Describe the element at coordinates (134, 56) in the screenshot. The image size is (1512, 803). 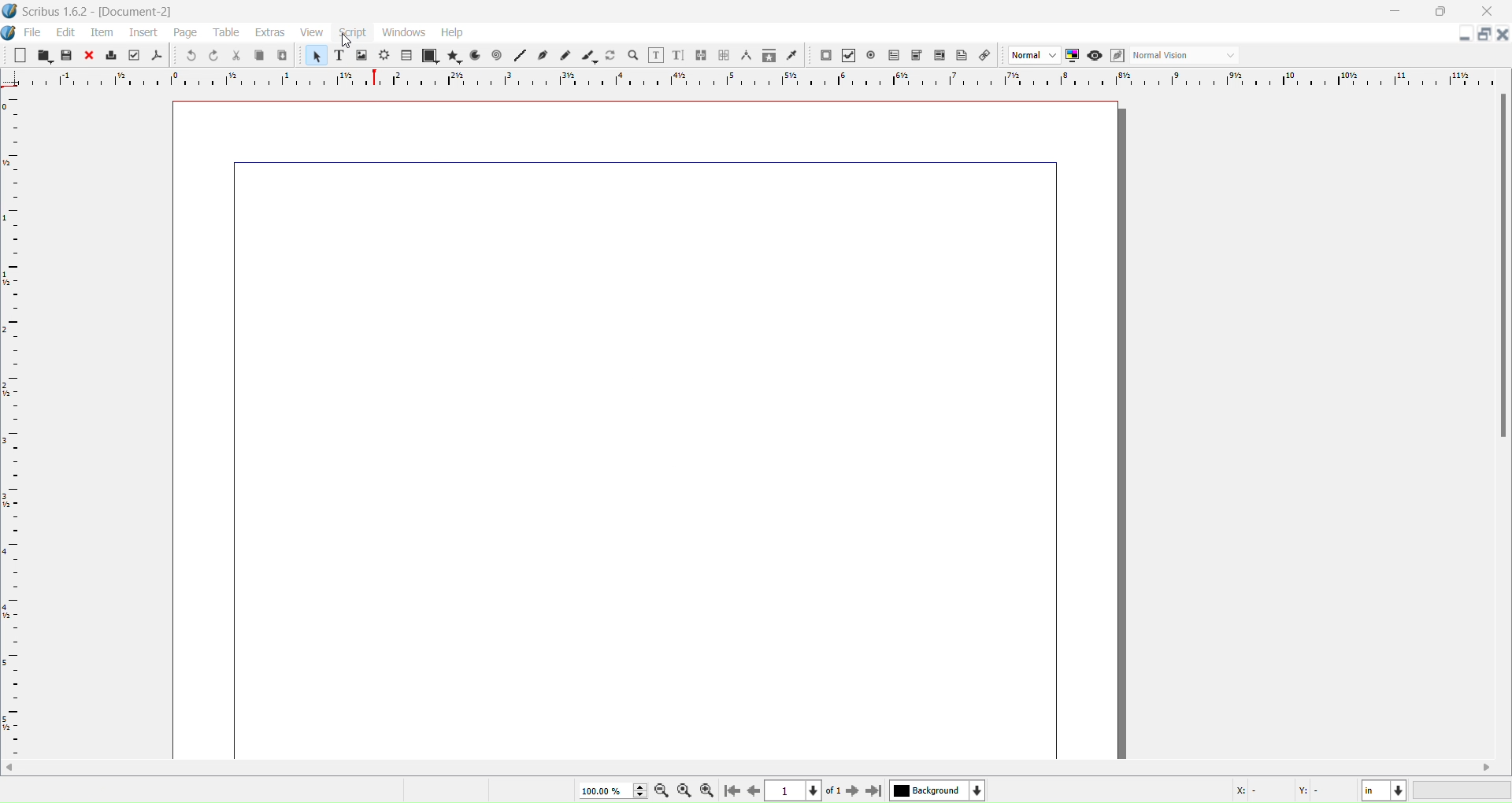
I see `Preflight Verifier` at that location.